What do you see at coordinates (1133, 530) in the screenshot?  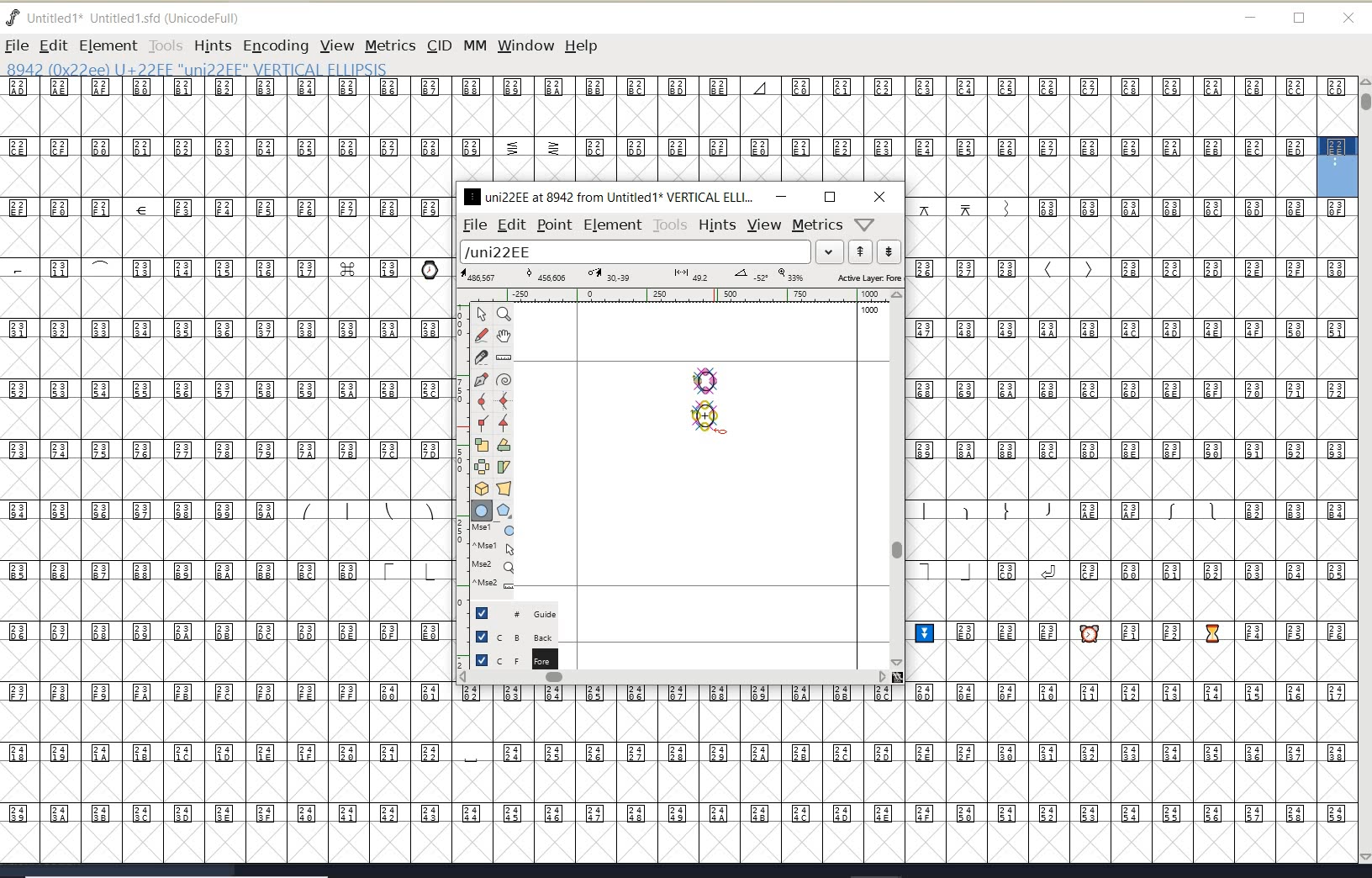 I see `GLYPHY CHARACTERS & NUMBERS` at bounding box center [1133, 530].